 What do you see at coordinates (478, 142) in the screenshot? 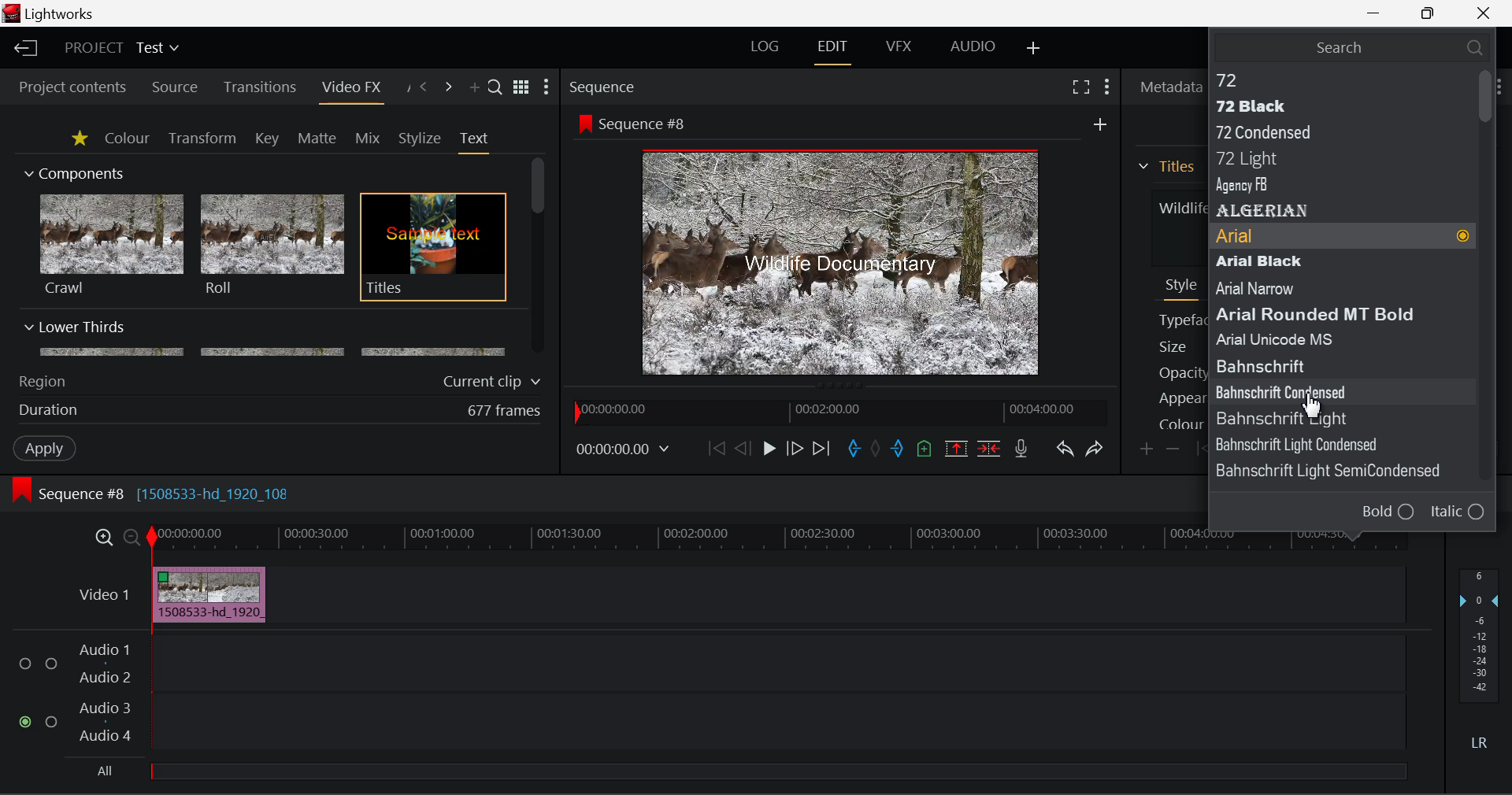
I see `Text Tab Open` at bounding box center [478, 142].